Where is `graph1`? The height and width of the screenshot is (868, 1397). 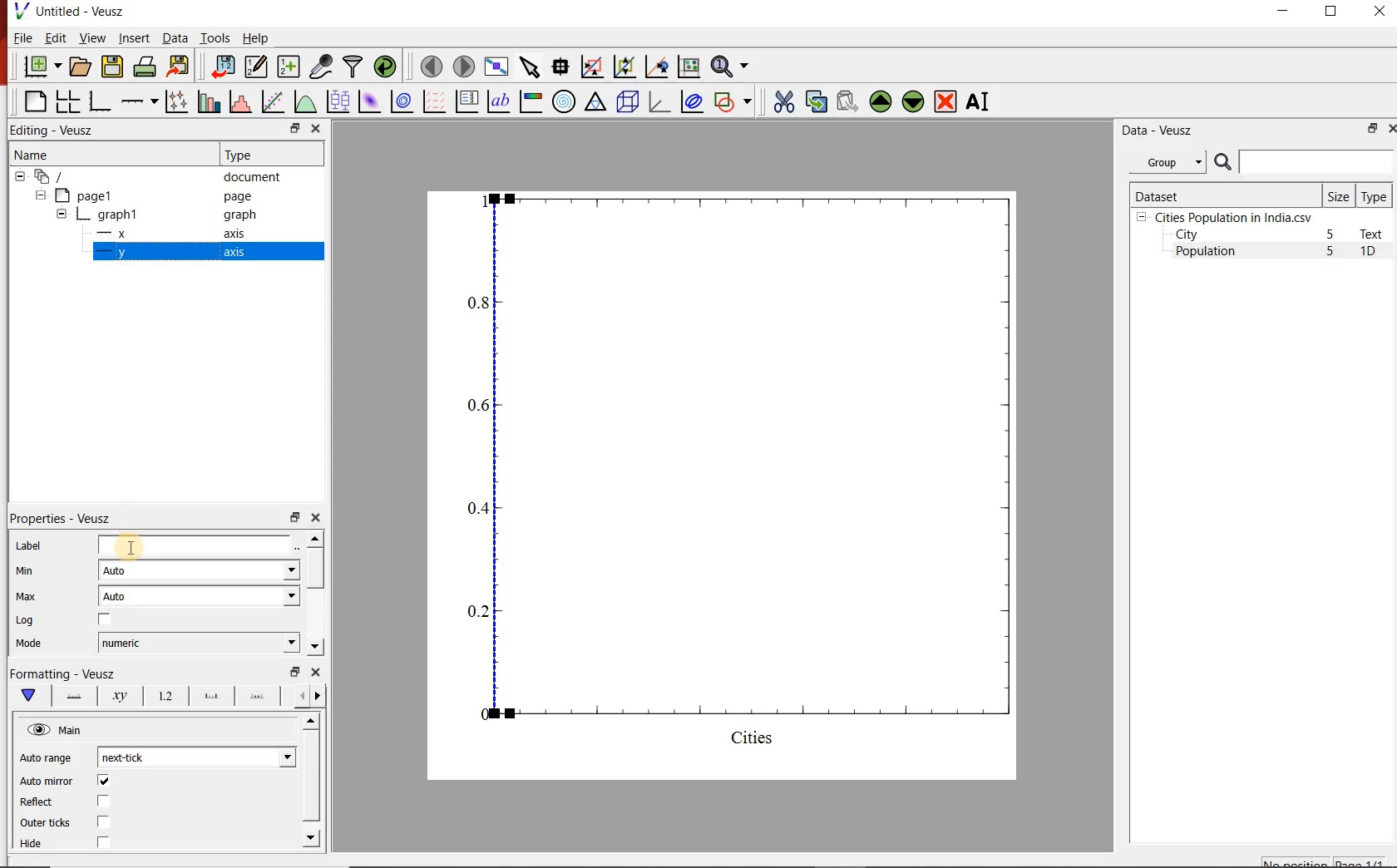 graph1 is located at coordinates (159, 215).